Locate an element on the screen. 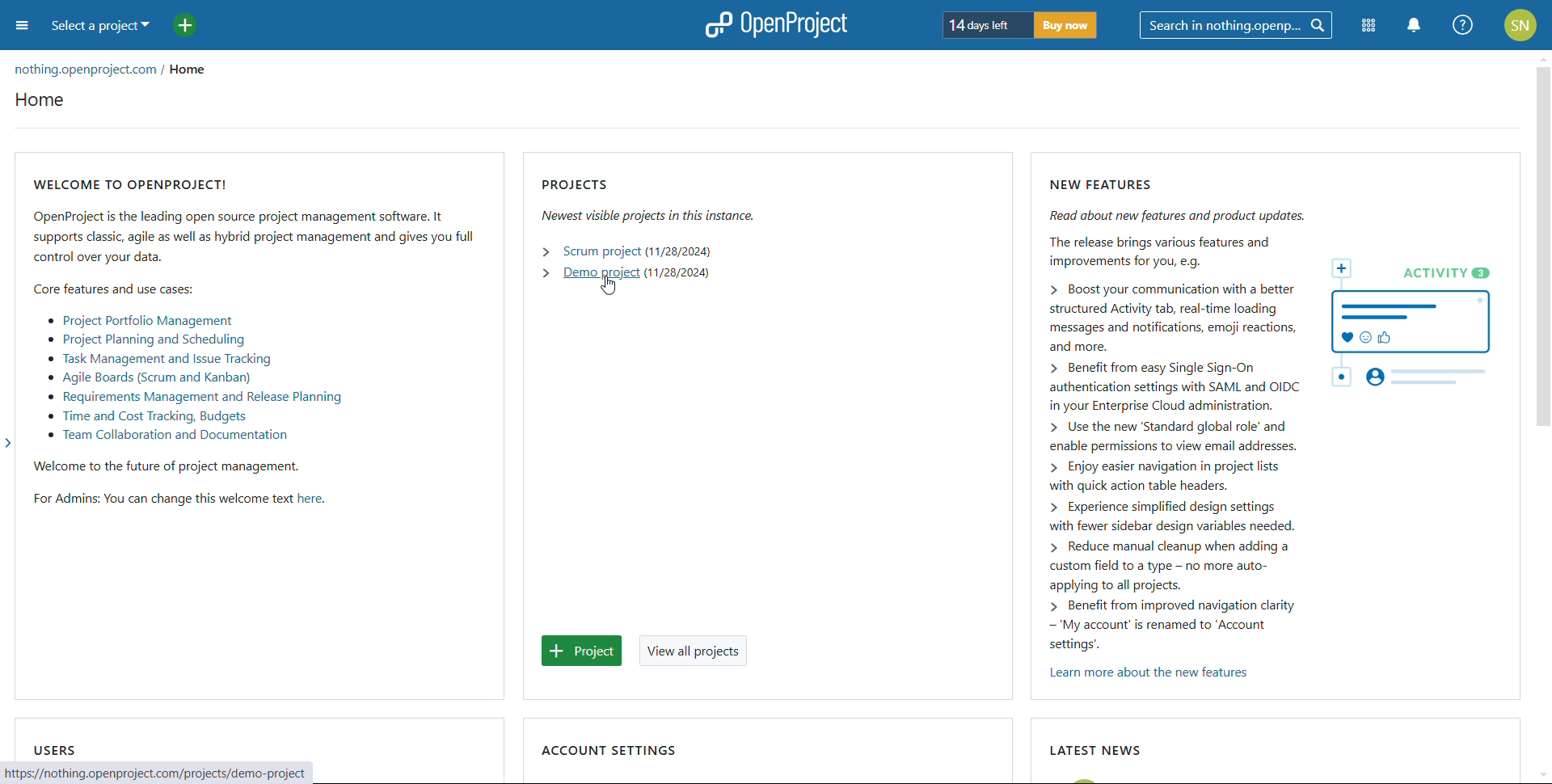 This screenshot has height=784, width=1552. For Admins: You can change this welcome text is located at coordinates (158, 501).